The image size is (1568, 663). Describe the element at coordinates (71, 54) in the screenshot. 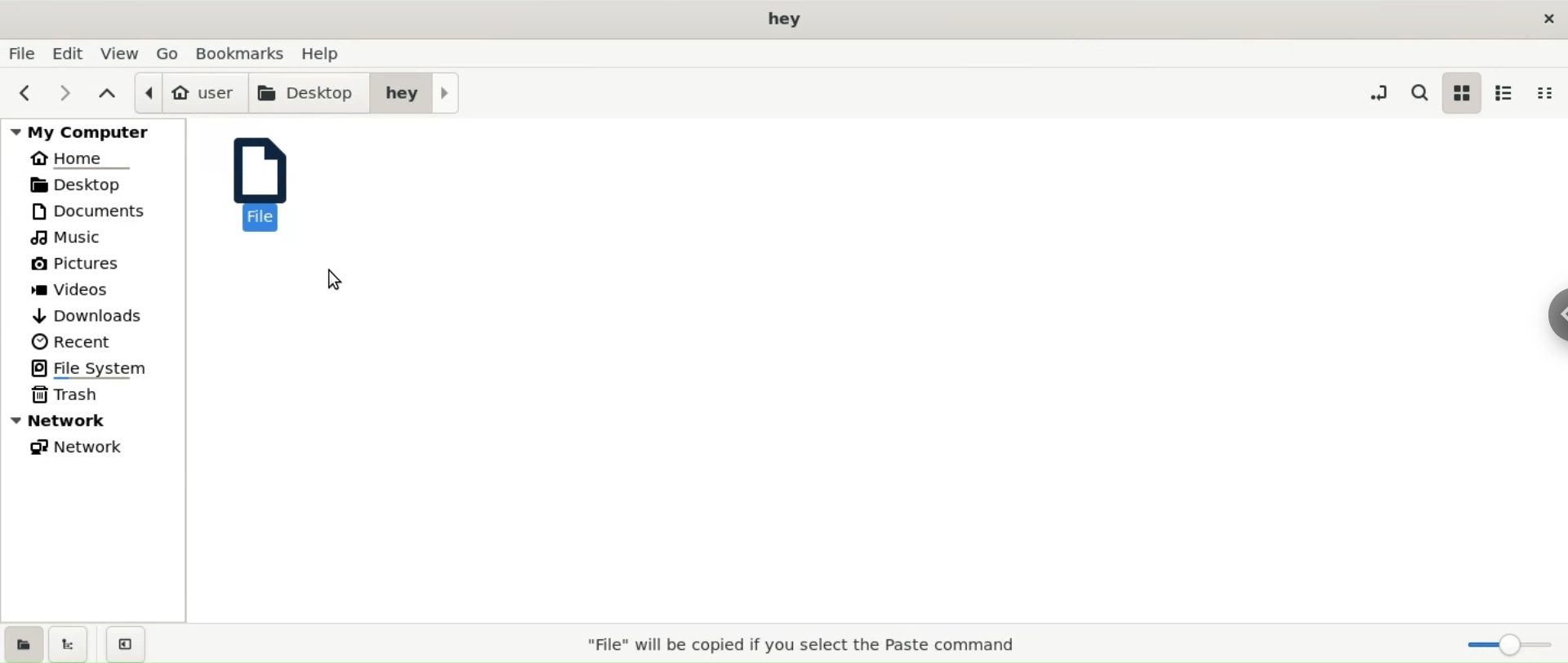

I see `edit` at that location.